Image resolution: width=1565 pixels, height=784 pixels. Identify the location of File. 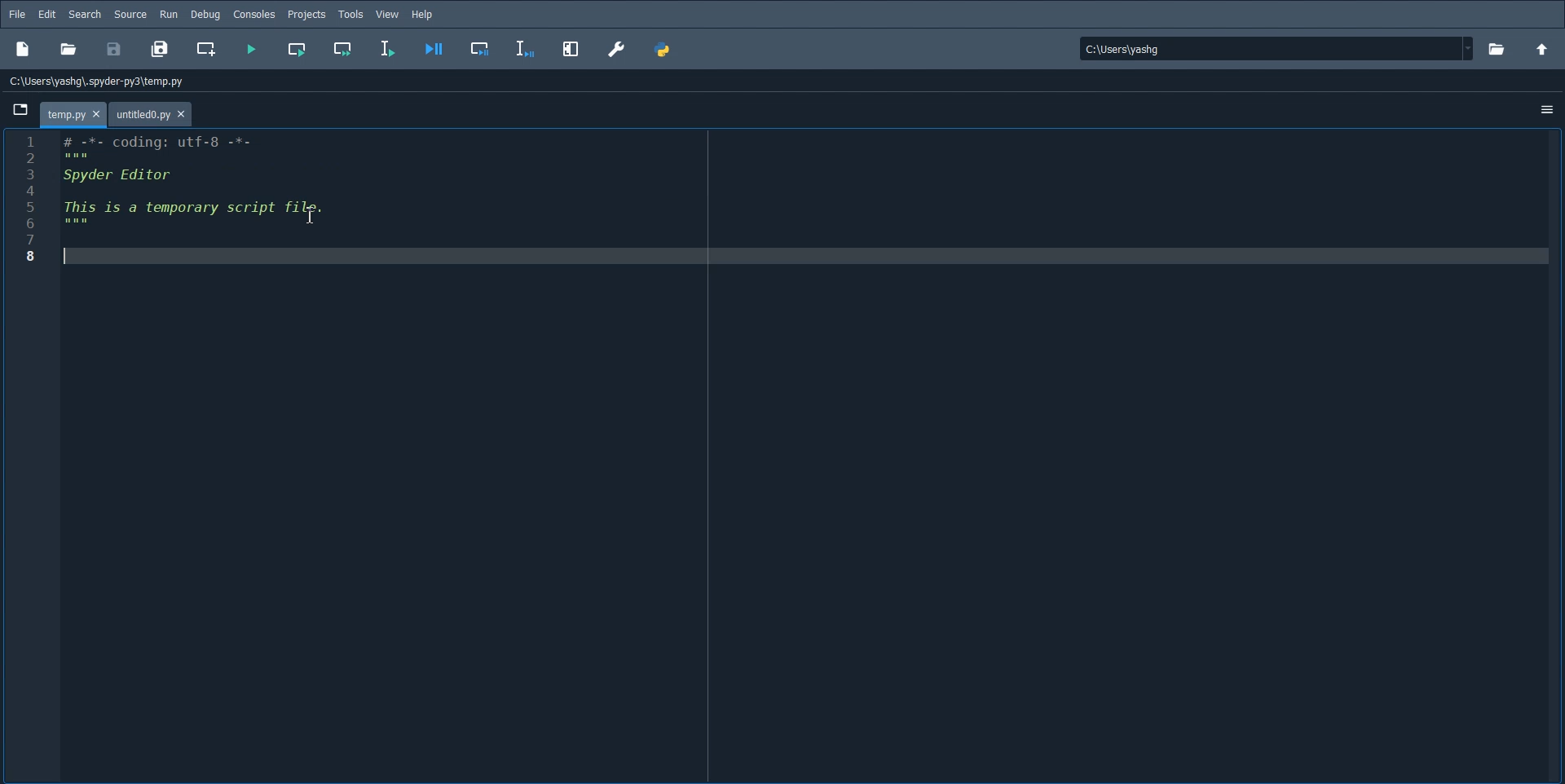
(18, 15).